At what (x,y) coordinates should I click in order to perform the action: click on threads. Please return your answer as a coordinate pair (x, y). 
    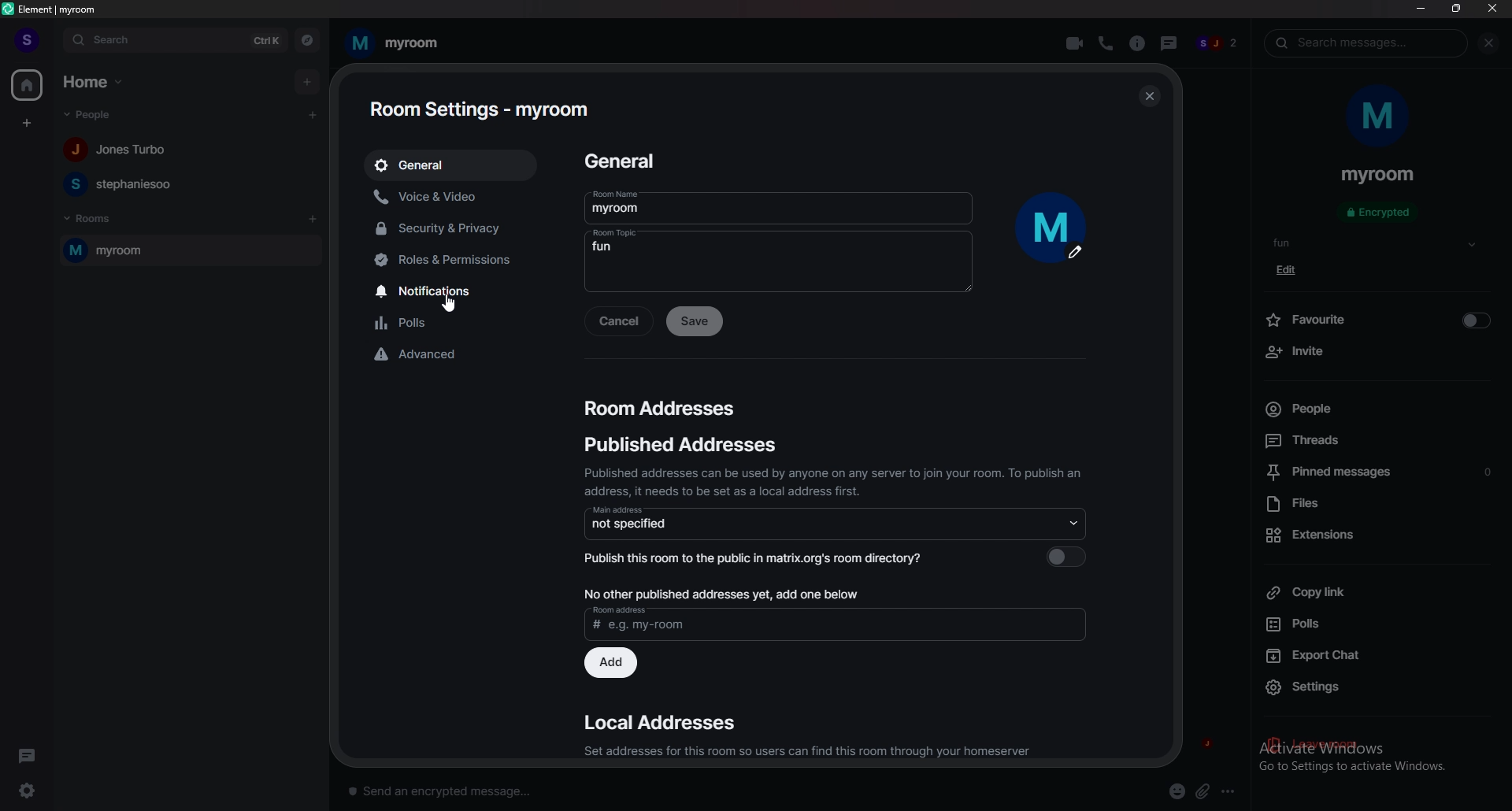
    Looking at the image, I should click on (1370, 439).